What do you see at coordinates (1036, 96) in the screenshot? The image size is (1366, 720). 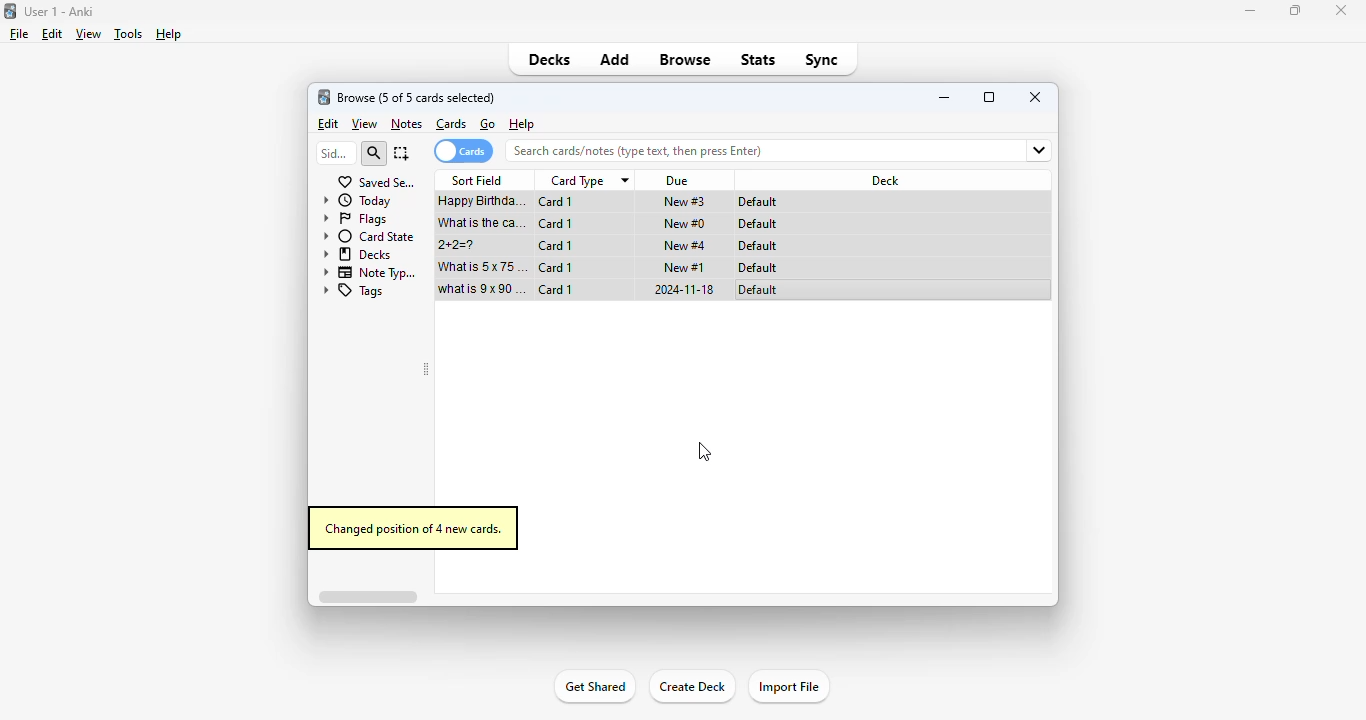 I see `close` at bounding box center [1036, 96].